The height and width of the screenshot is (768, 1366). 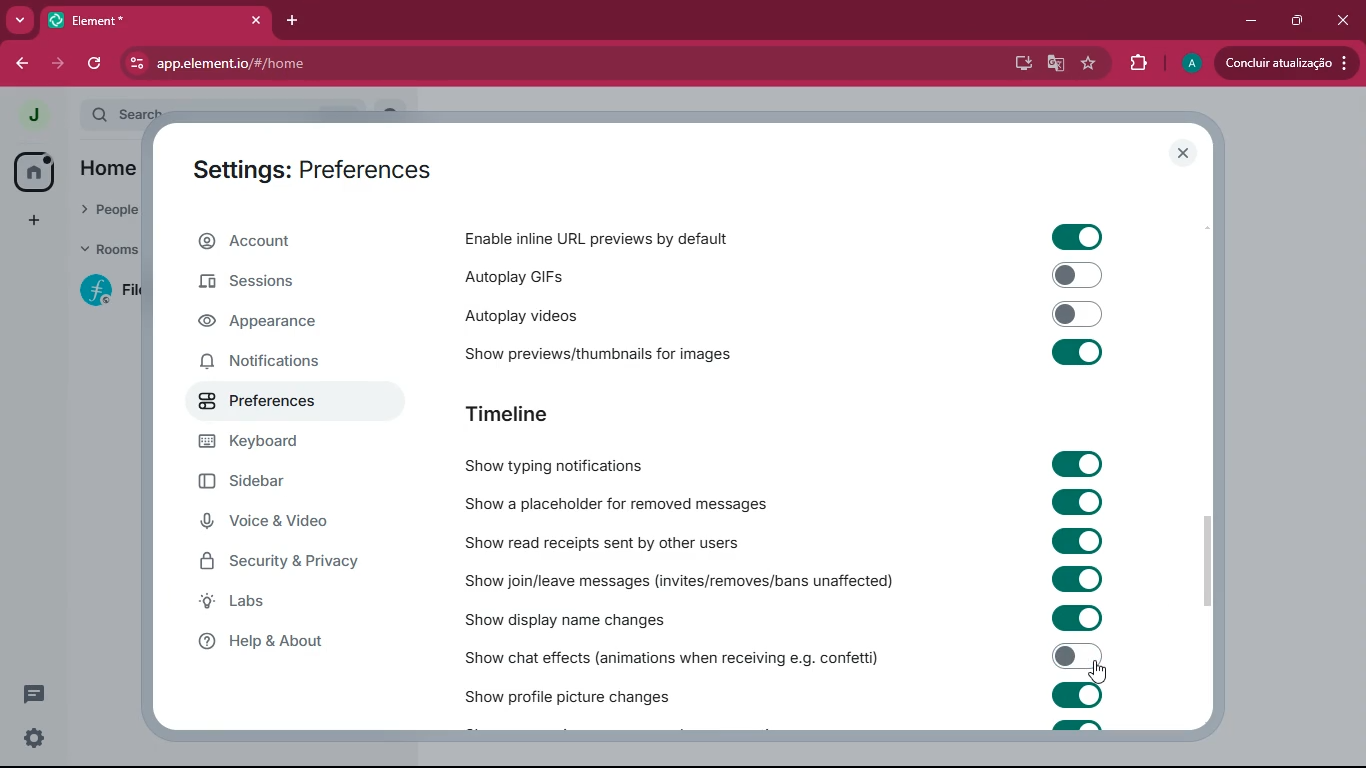 What do you see at coordinates (108, 20) in the screenshot?
I see `Element* tab` at bounding box center [108, 20].